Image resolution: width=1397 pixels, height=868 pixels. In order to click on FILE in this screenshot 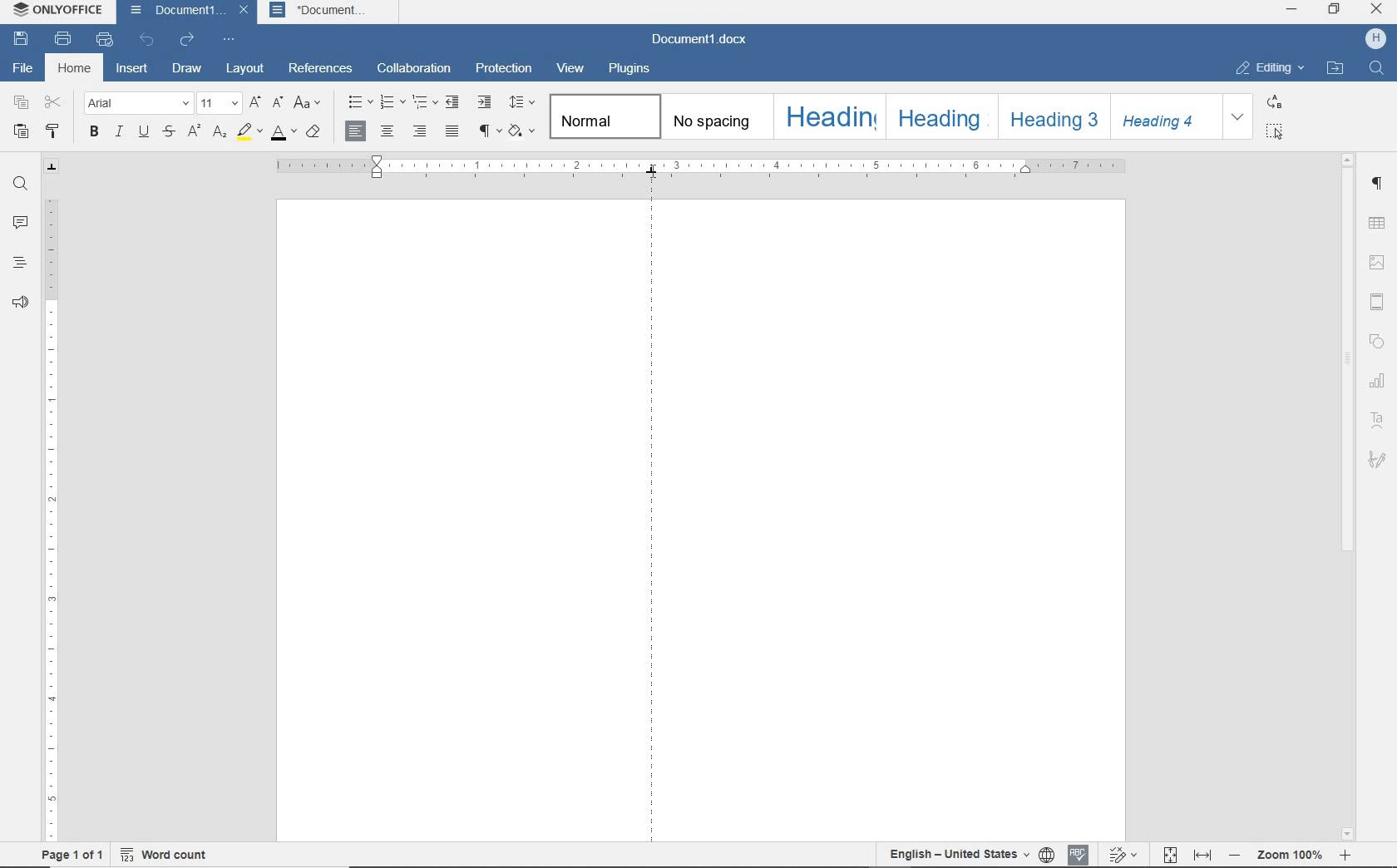, I will do `click(23, 68)`.